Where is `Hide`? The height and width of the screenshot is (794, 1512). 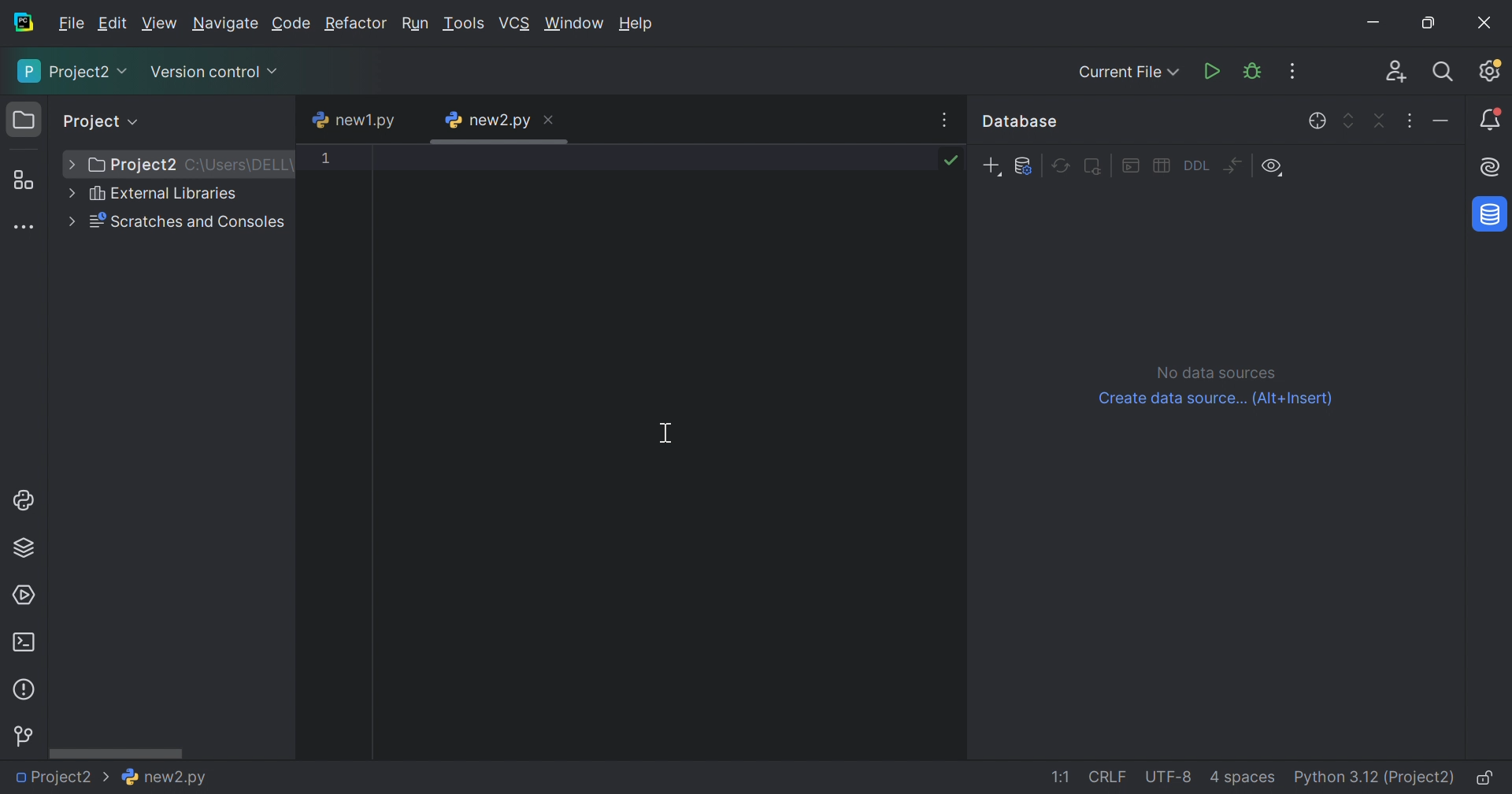 Hide is located at coordinates (1442, 123).